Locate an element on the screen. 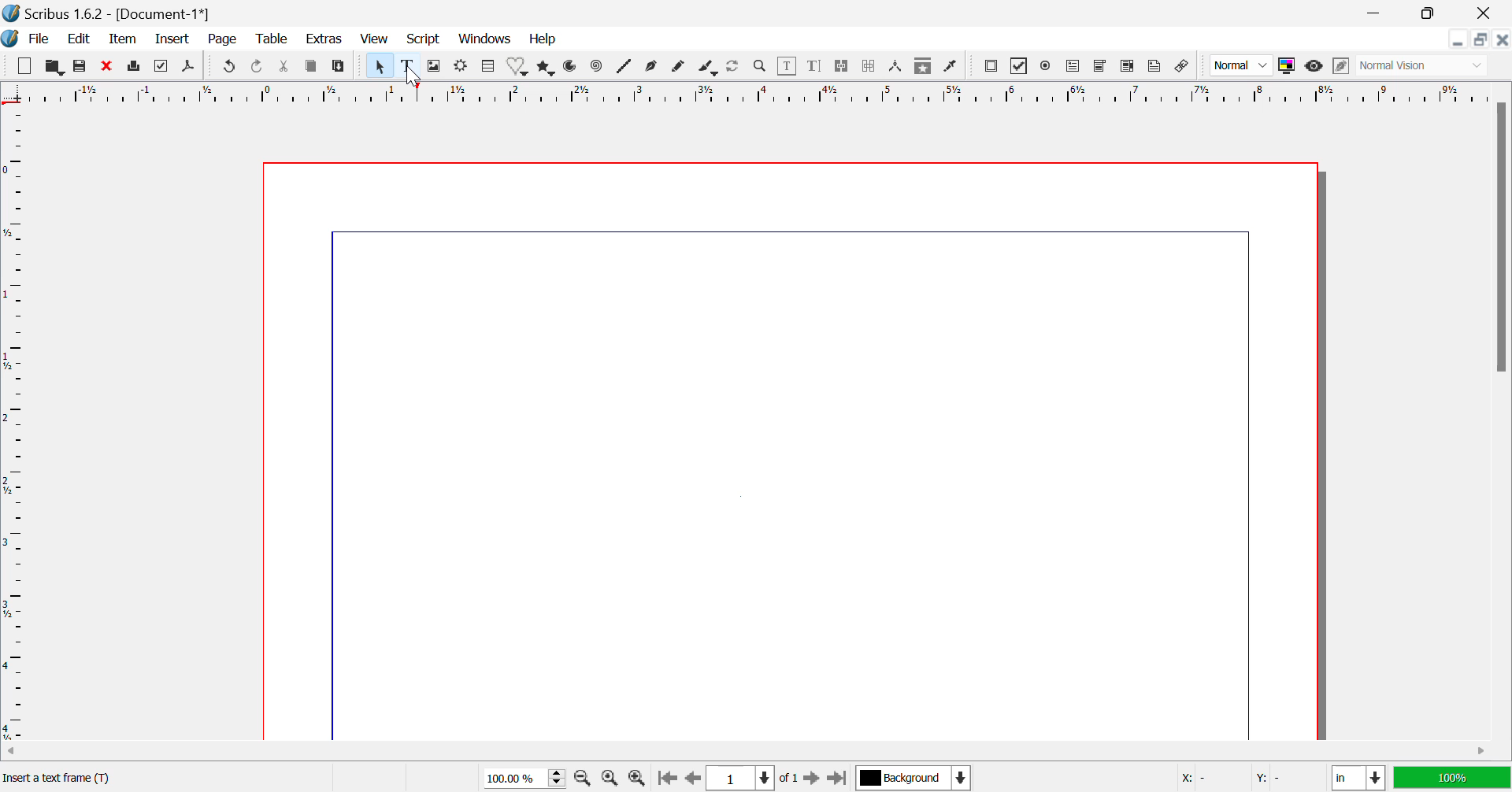  Restore Down is located at coordinates (1460, 40).